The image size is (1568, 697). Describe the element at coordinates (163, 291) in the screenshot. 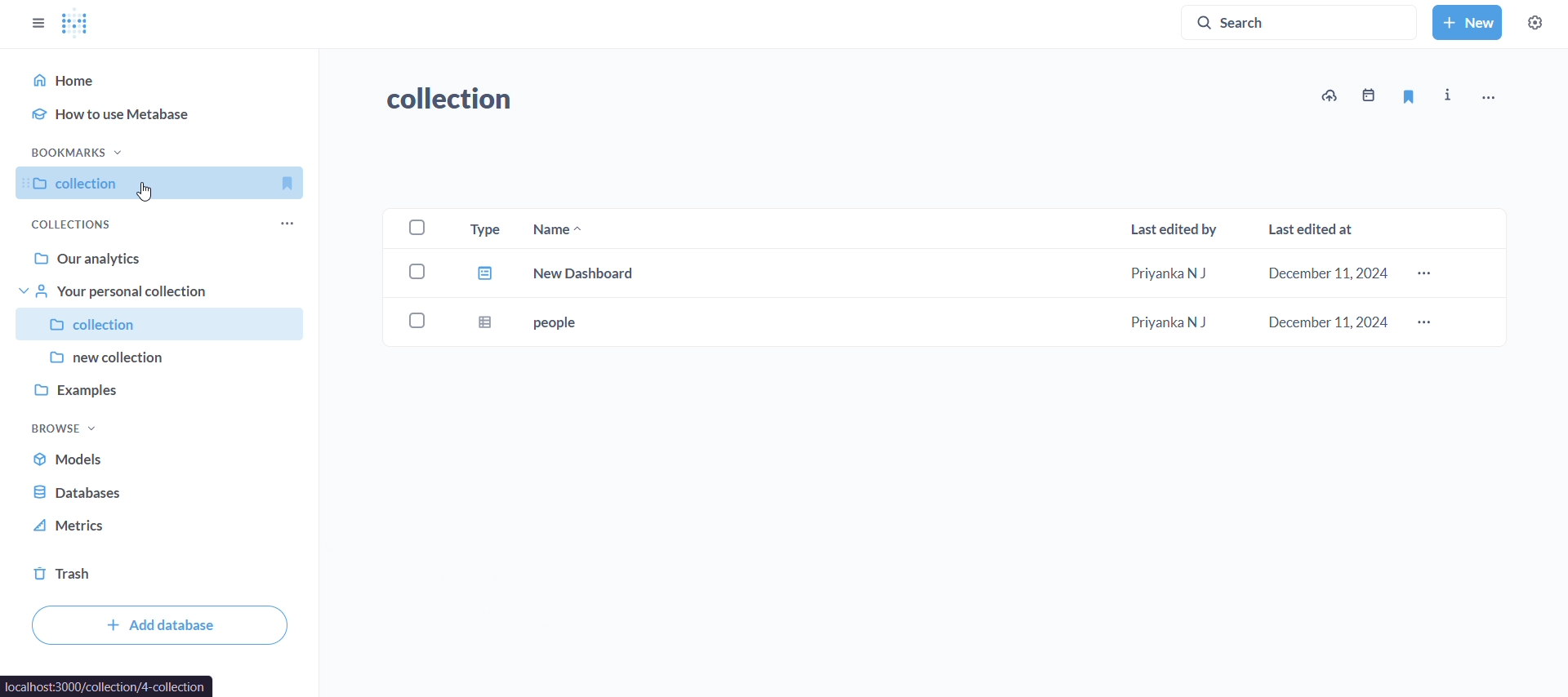

I see `your personal collection` at that location.